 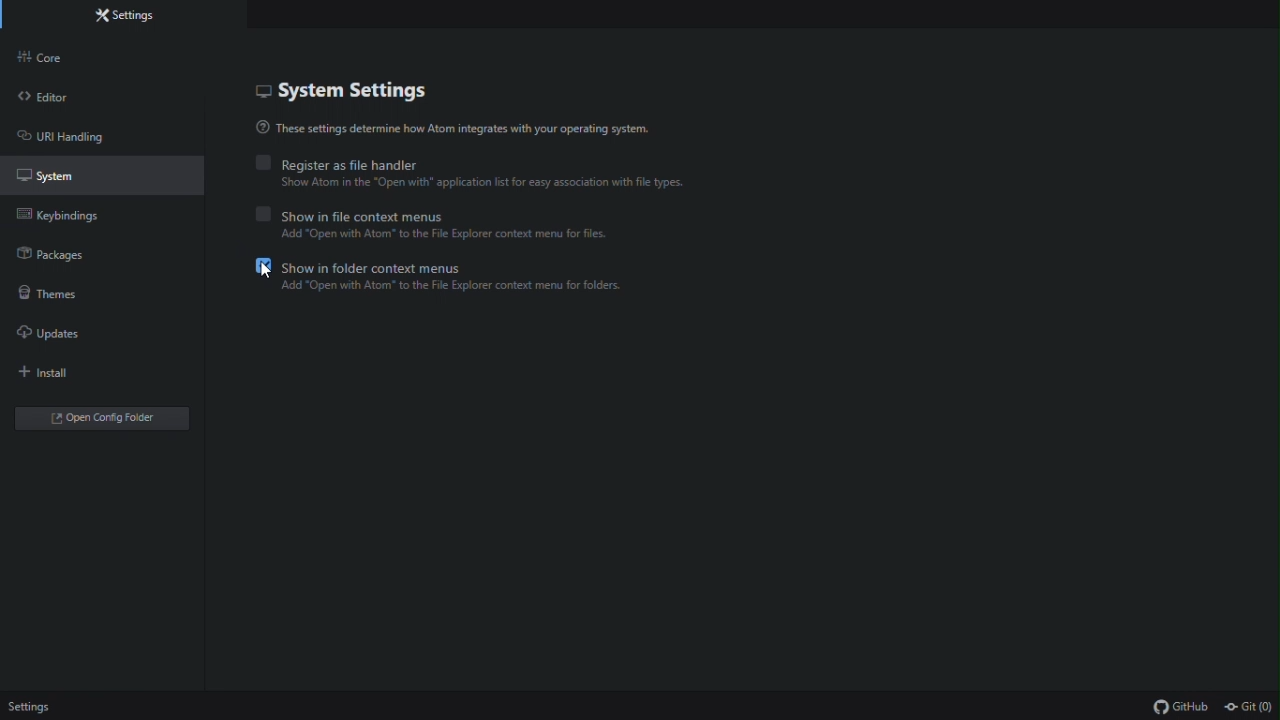 What do you see at coordinates (99, 415) in the screenshot?
I see `open config folder` at bounding box center [99, 415].